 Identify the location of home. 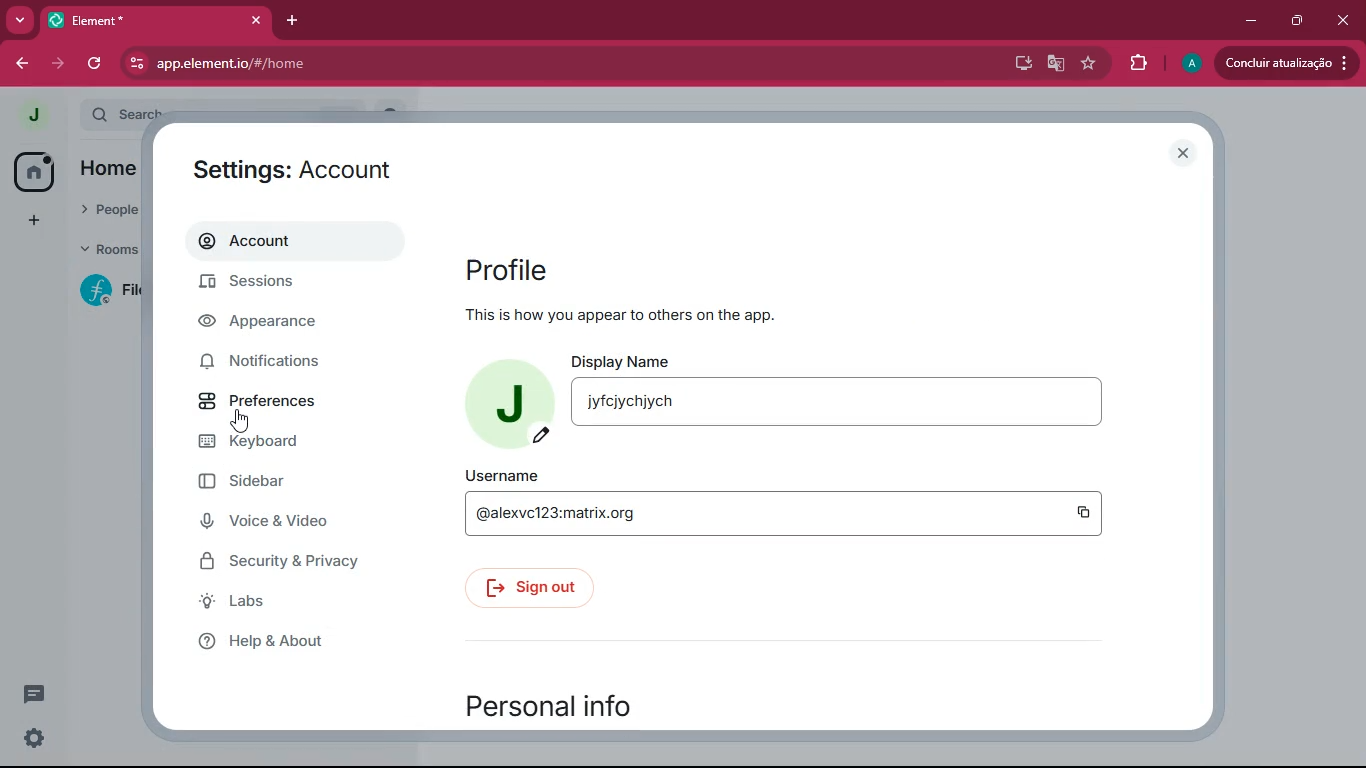
(32, 173).